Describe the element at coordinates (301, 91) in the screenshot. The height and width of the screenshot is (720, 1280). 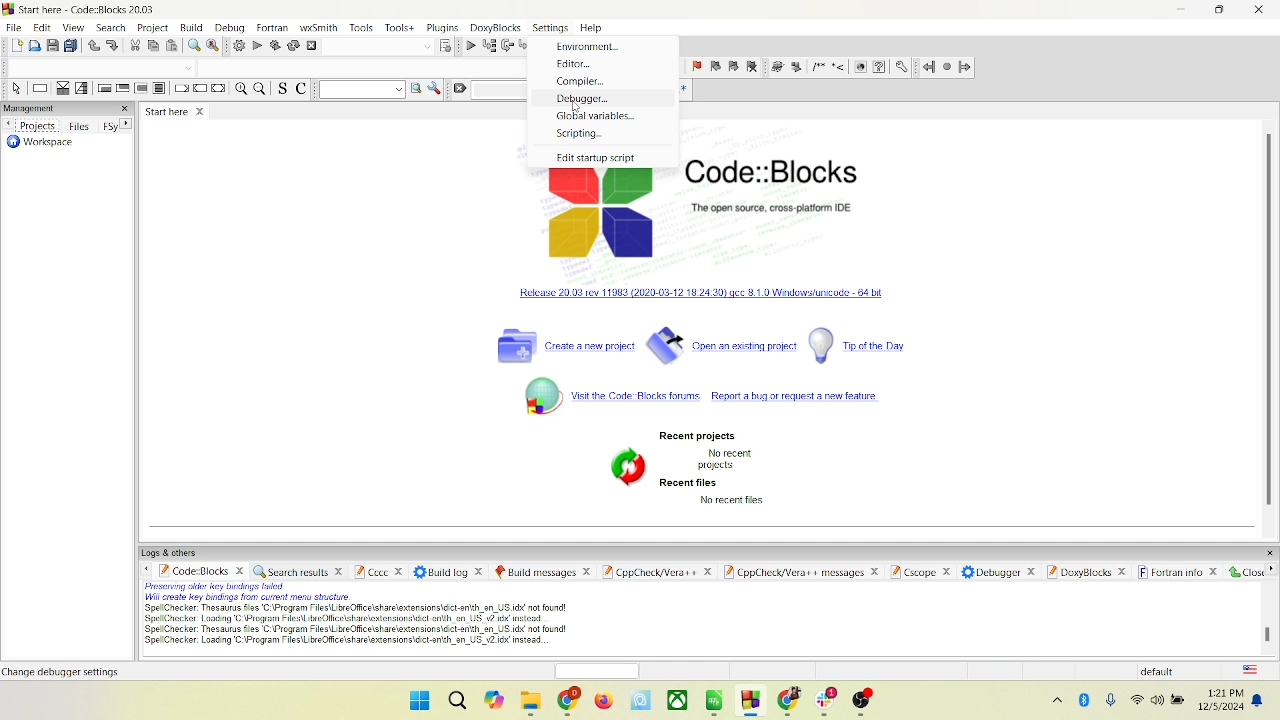
I see `toggle comment` at that location.